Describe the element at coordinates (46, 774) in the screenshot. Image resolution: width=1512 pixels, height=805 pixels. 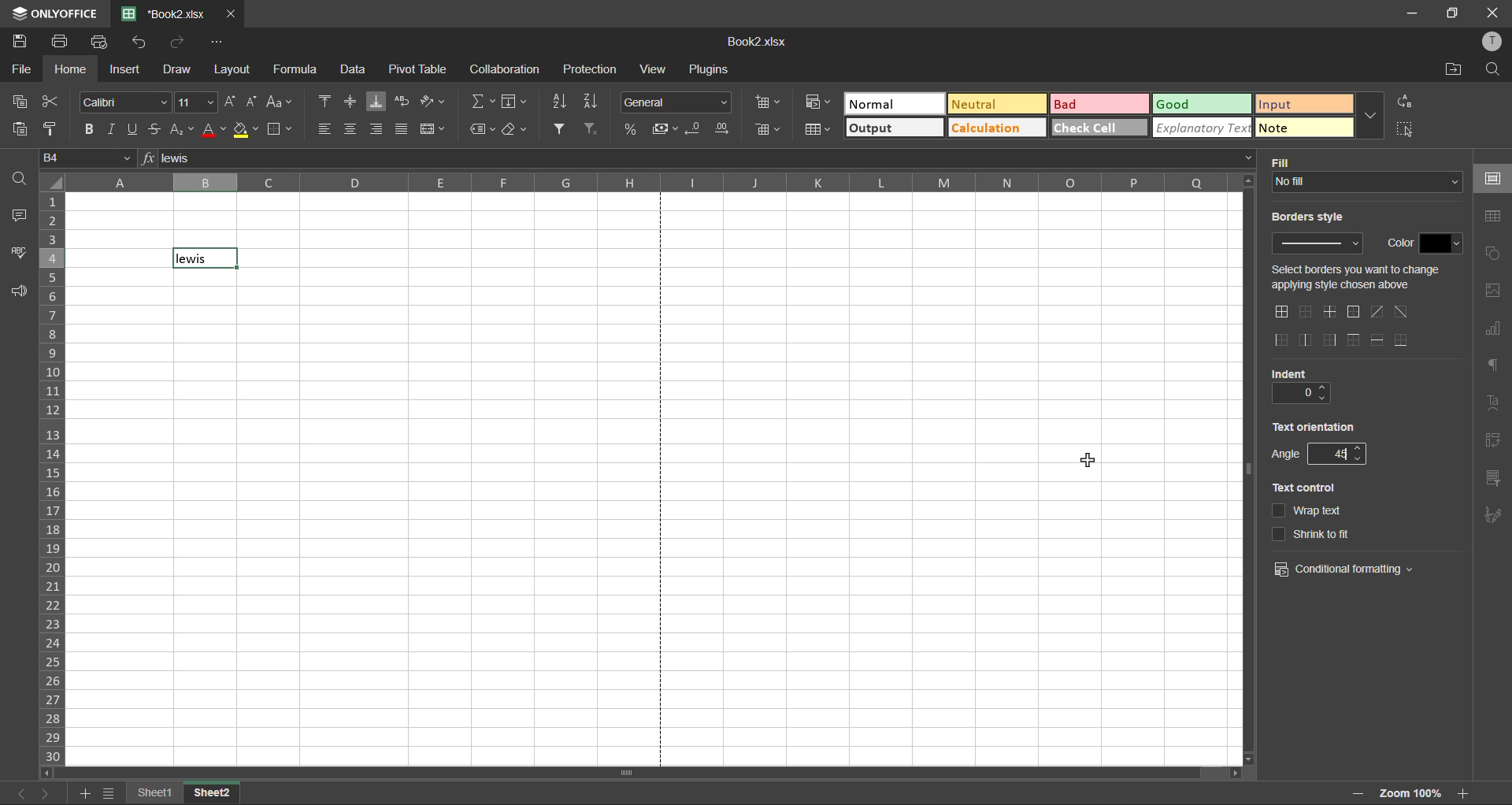
I see `move left` at that location.